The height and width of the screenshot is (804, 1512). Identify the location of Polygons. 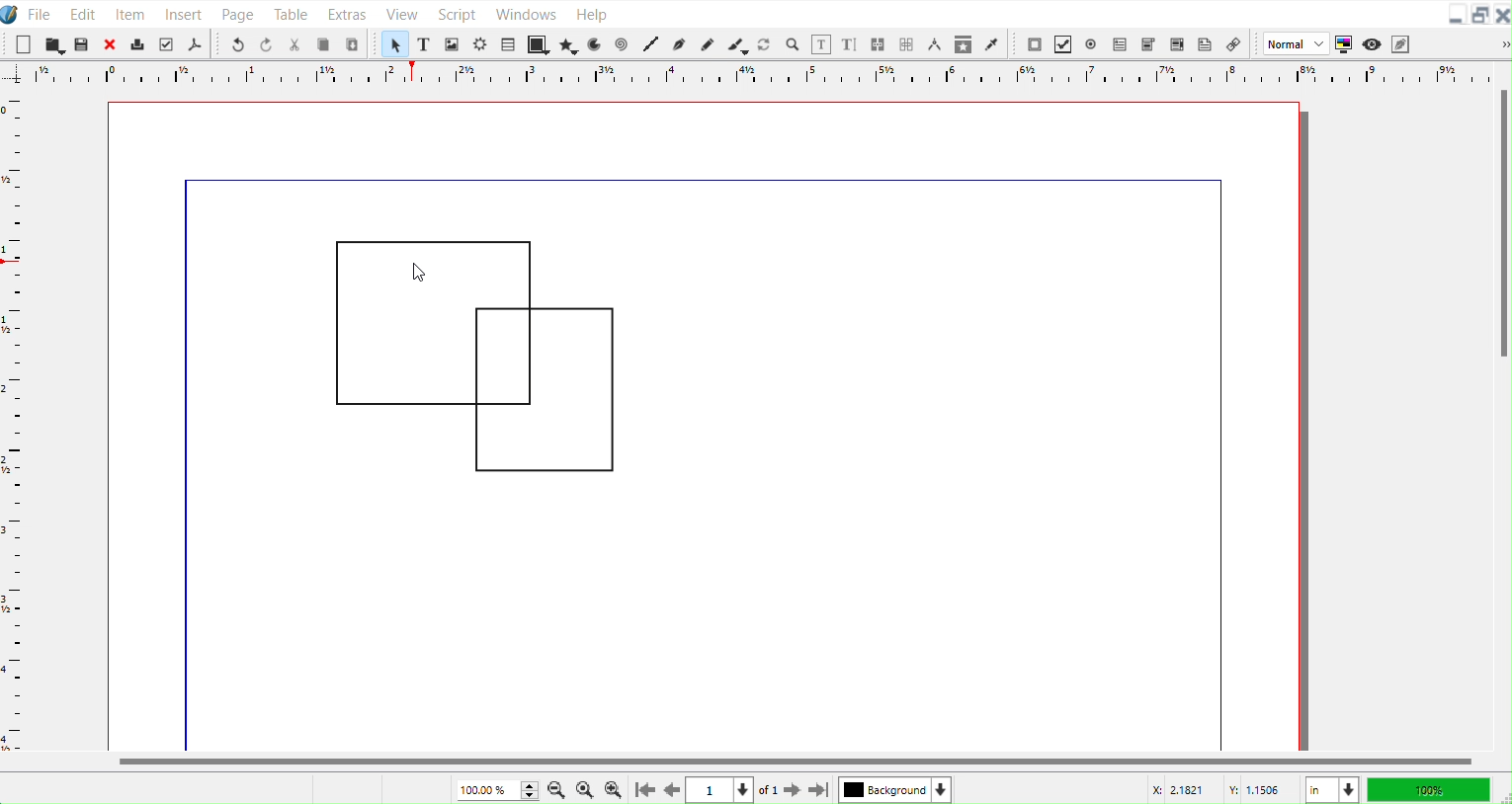
(476, 362).